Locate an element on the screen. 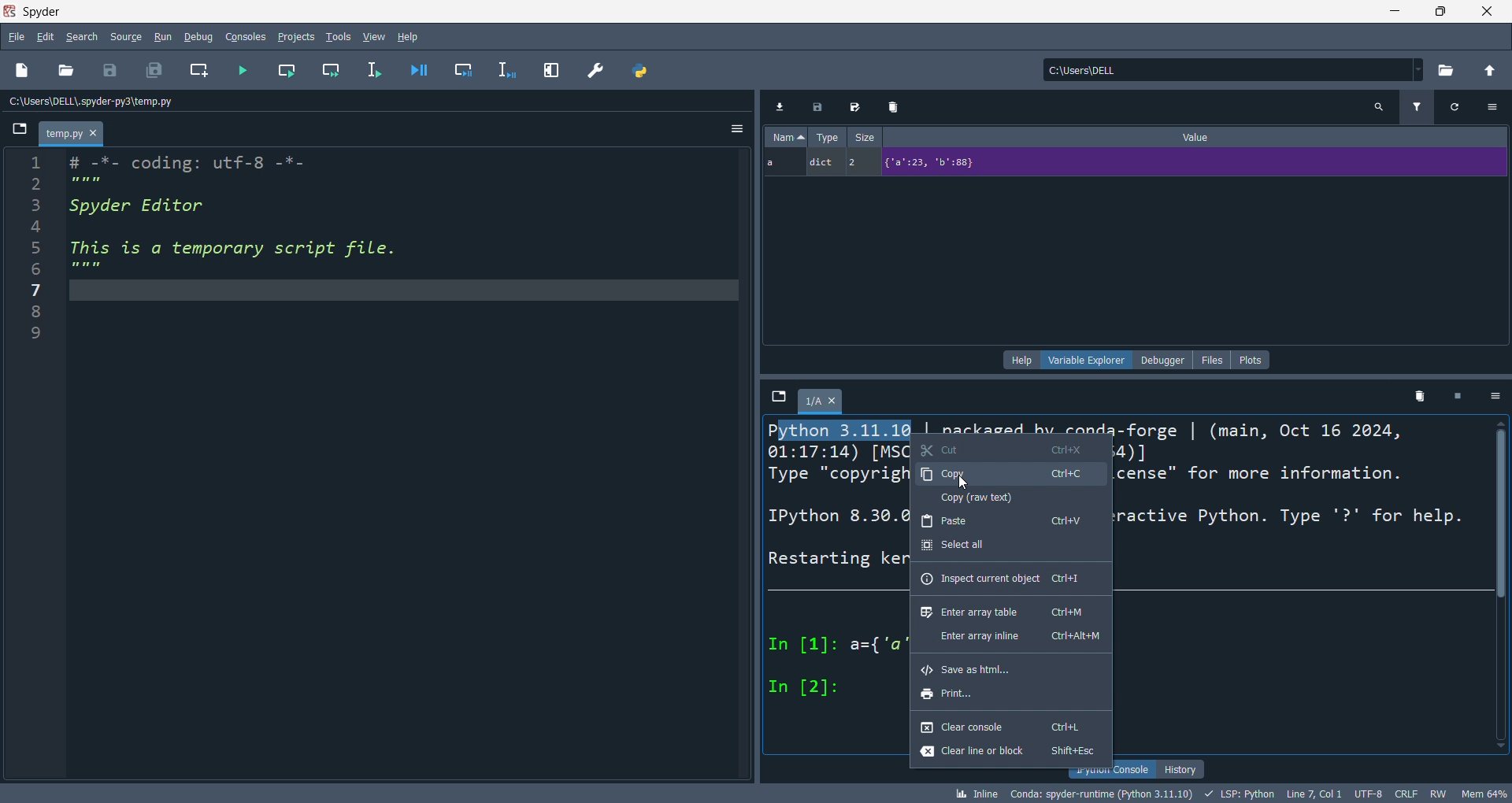  options is located at coordinates (1497, 105).